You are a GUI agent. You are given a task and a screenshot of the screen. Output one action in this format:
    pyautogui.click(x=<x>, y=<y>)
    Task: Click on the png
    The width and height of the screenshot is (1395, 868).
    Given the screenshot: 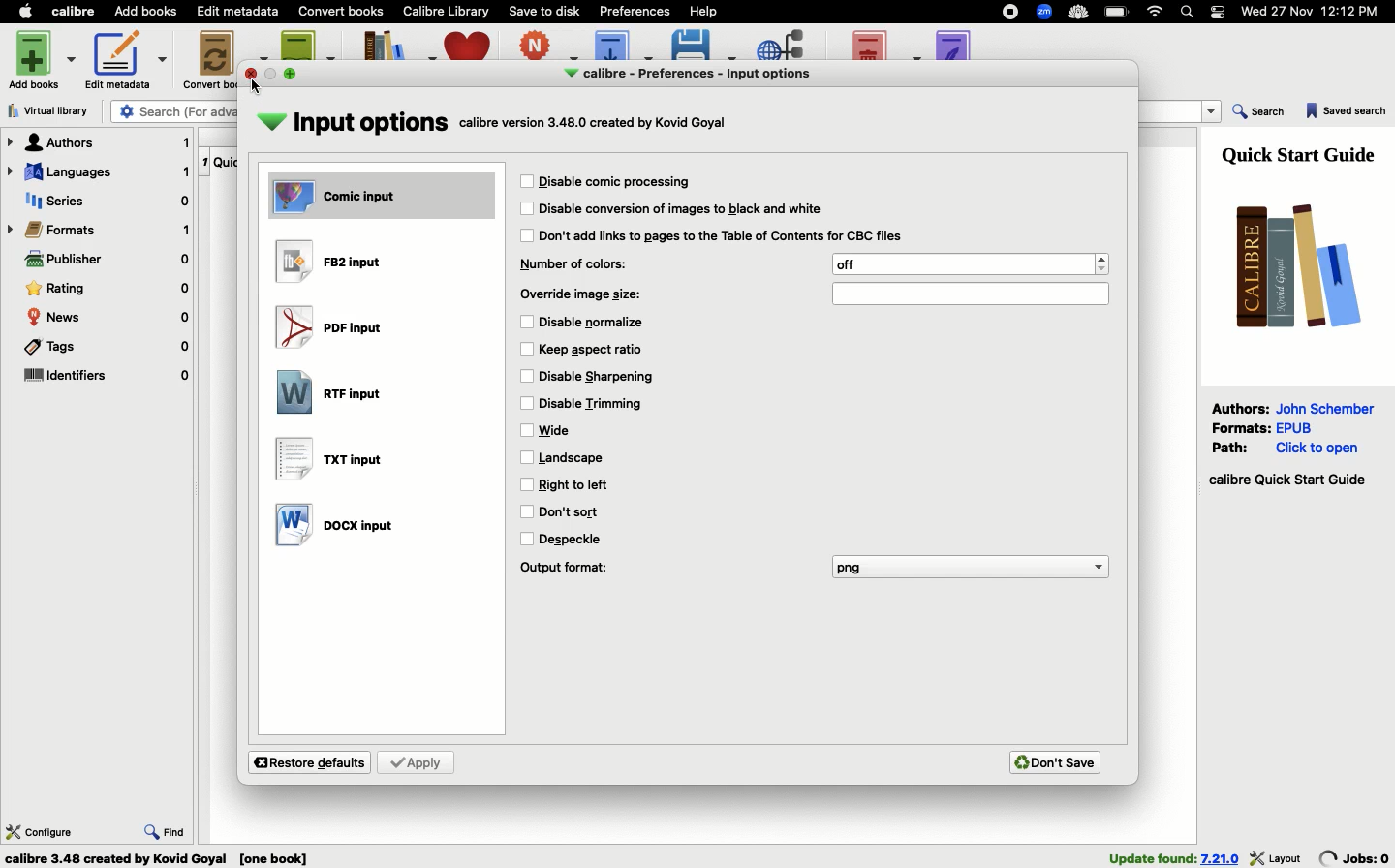 What is the action you would take?
    pyautogui.click(x=970, y=569)
    